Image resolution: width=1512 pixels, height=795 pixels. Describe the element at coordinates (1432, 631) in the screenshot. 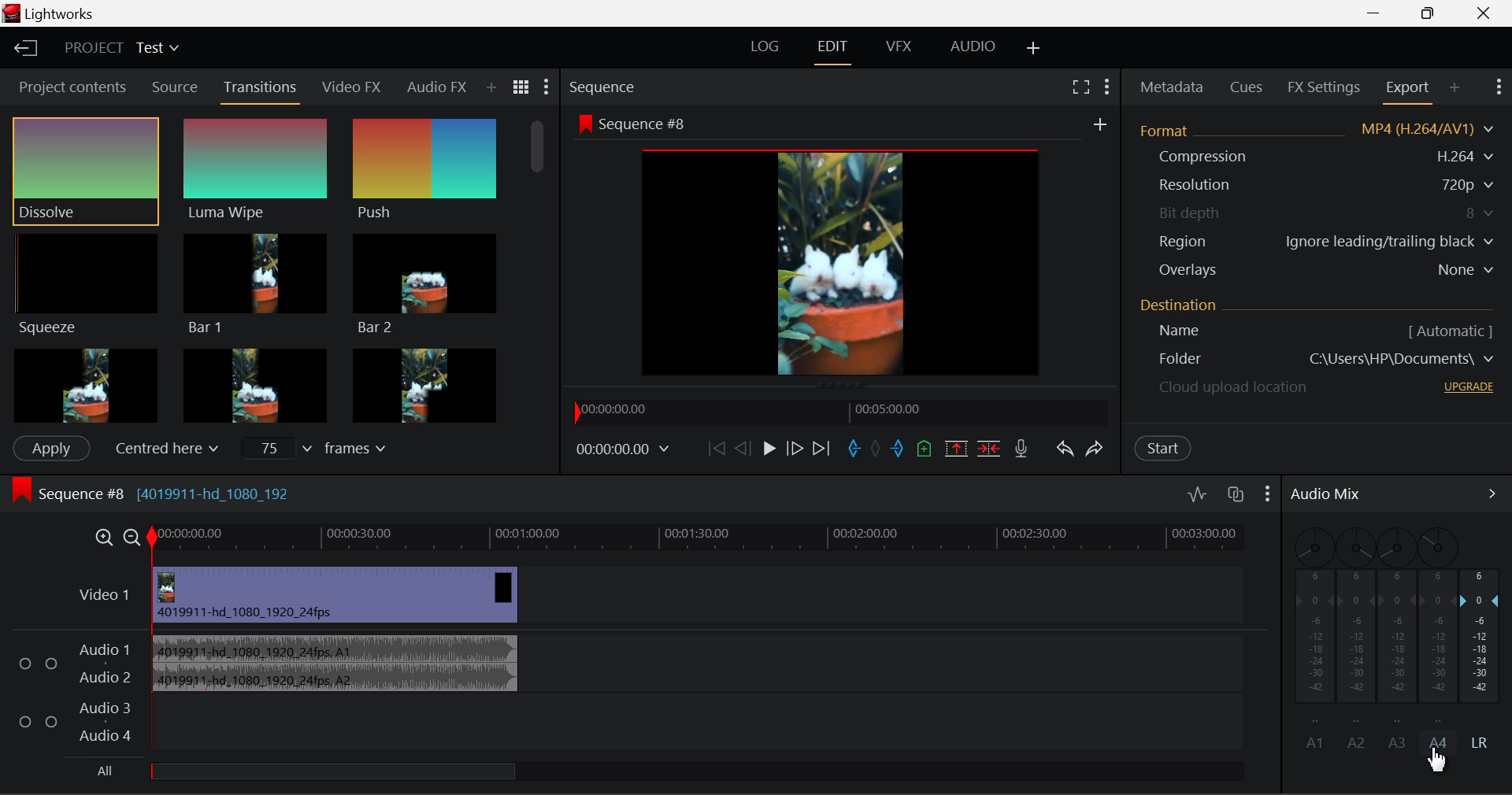

I see `A4 Channel Disabled` at that location.